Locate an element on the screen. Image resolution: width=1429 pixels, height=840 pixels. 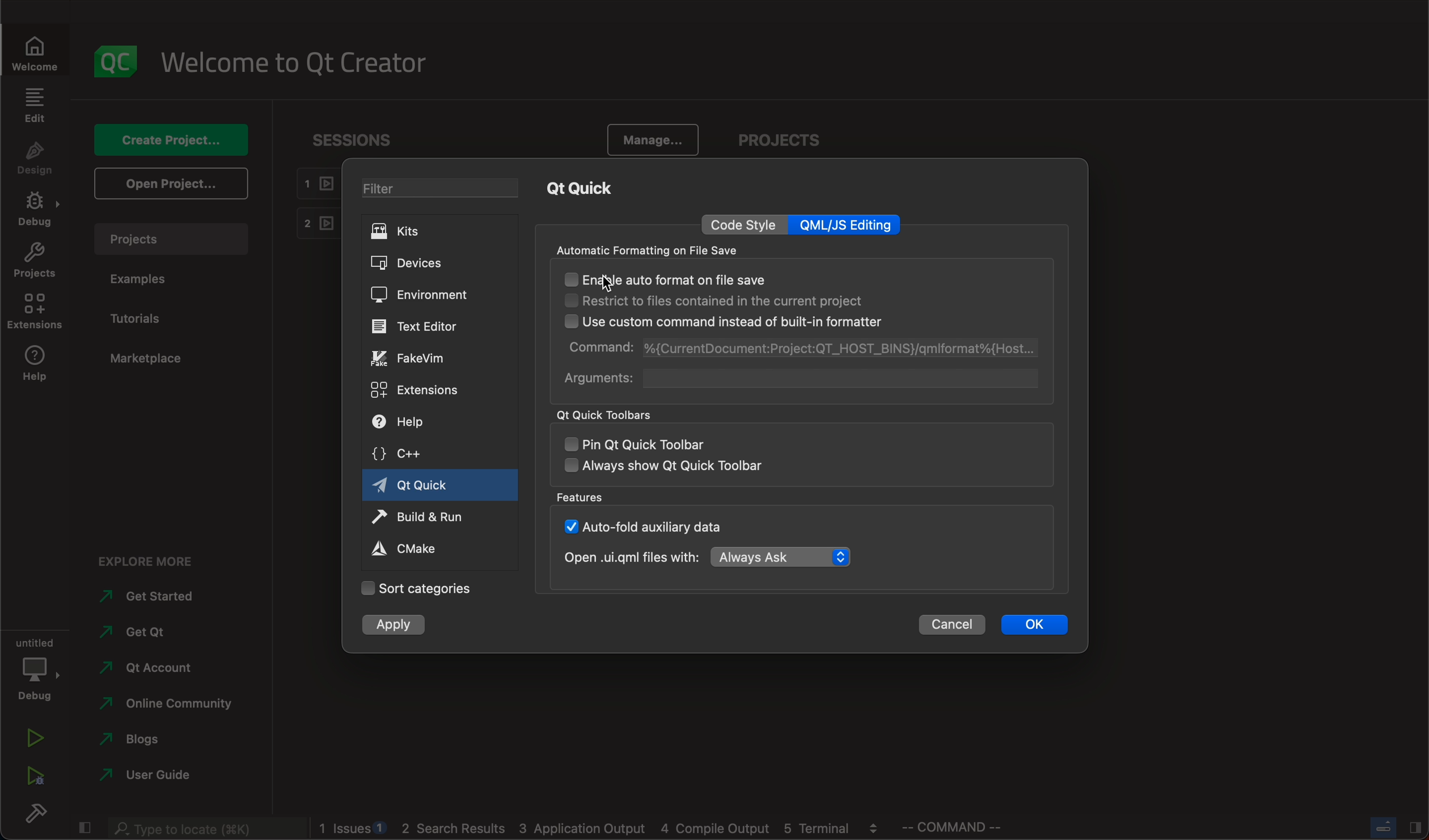
help is located at coordinates (409, 422).